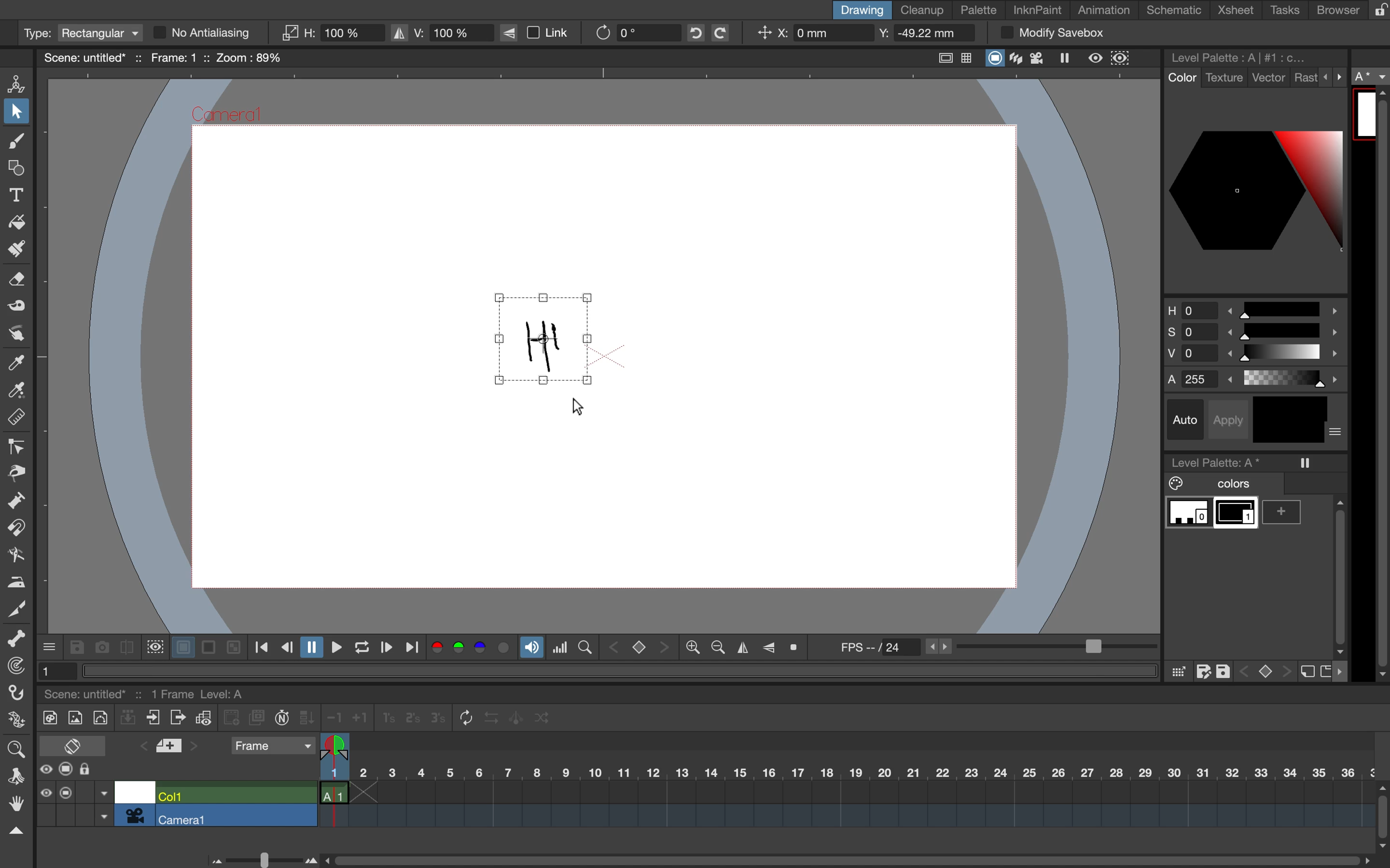  Describe the element at coordinates (628, 32) in the screenshot. I see `rotate` at that location.